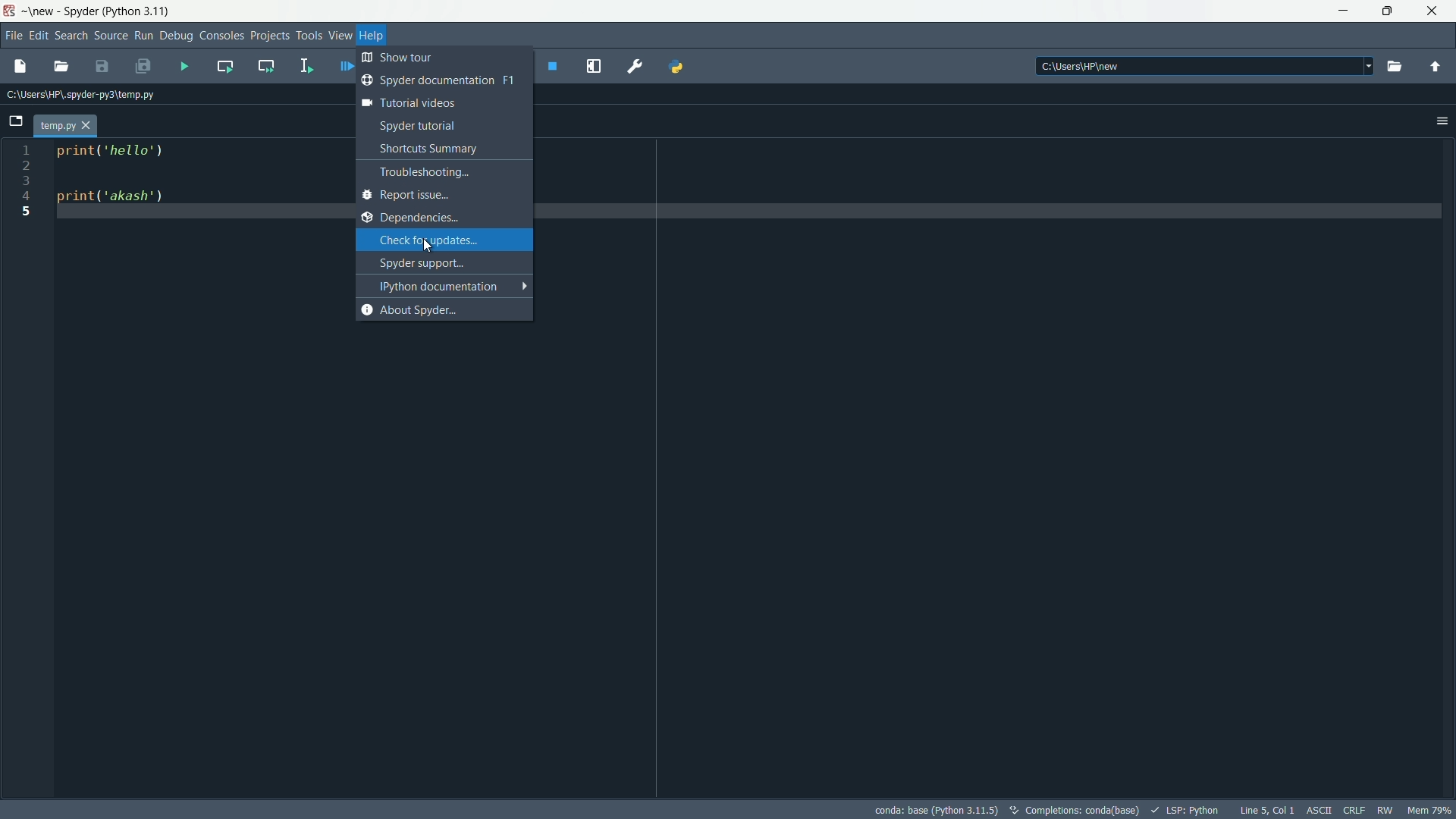  Describe the element at coordinates (27, 184) in the screenshot. I see `line number` at that location.